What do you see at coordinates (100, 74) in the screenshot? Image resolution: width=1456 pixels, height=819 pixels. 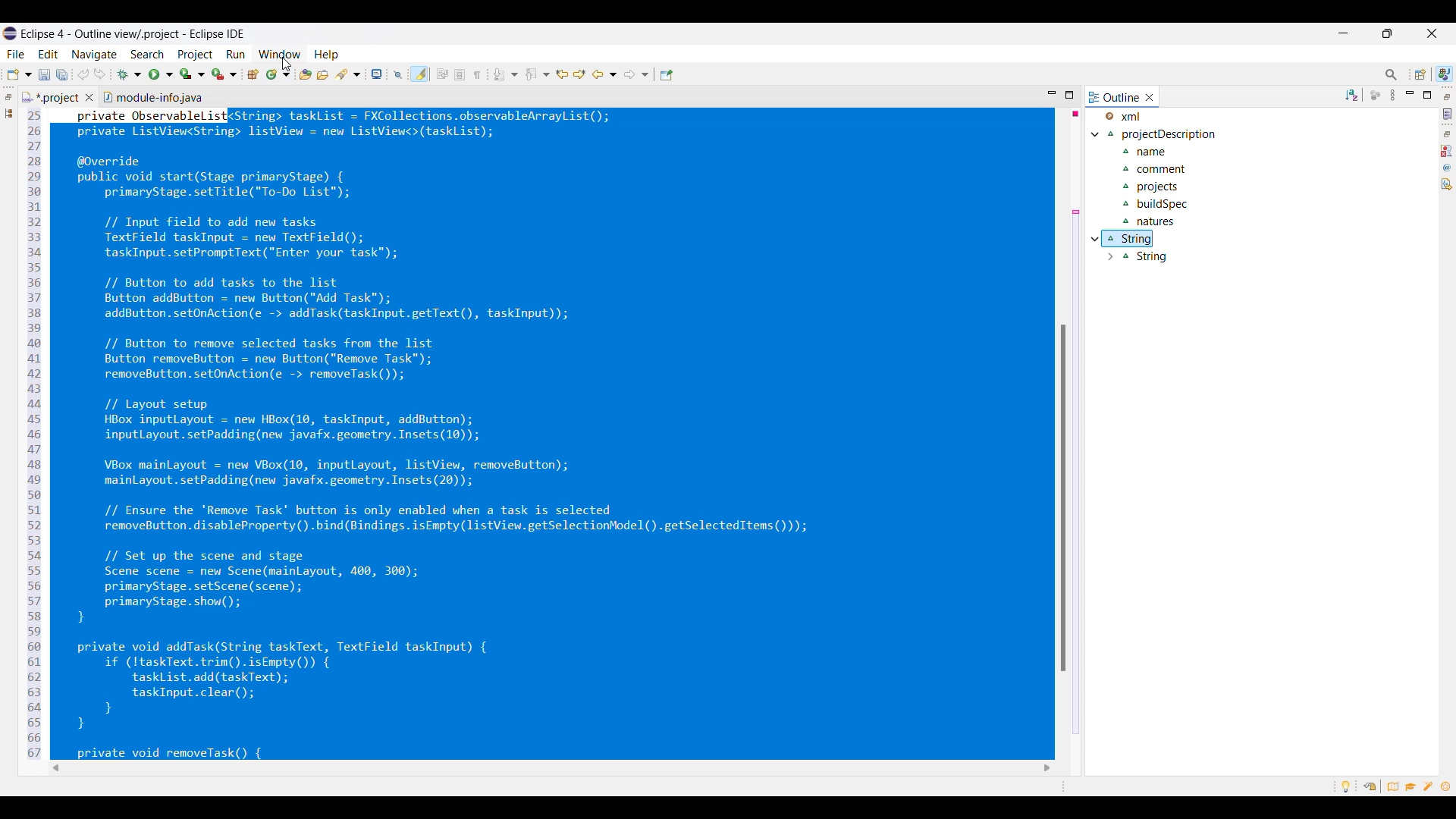 I see `Redo` at bounding box center [100, 74].